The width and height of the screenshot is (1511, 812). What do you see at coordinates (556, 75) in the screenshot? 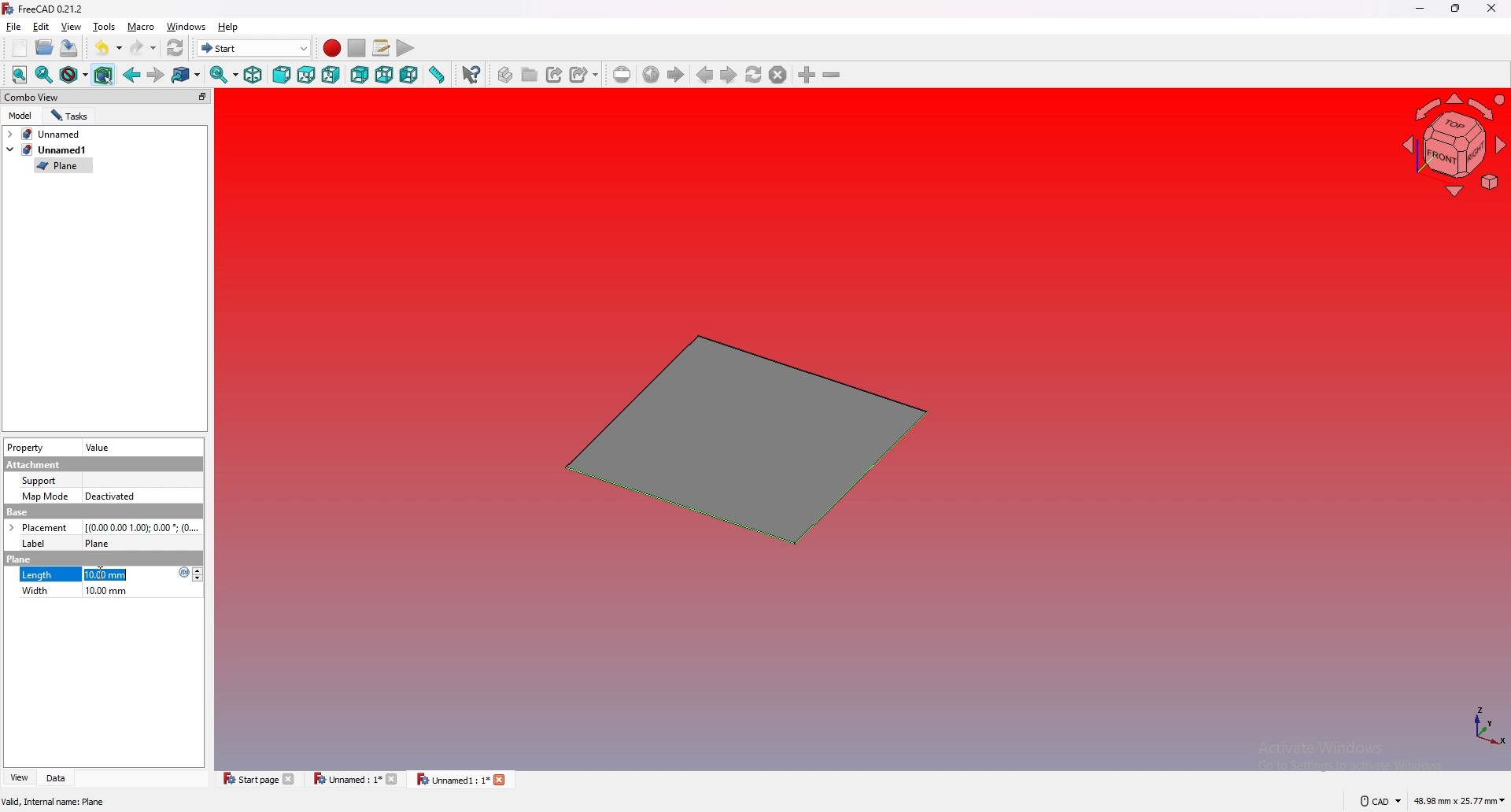
I see `create link` at bounding box center [556, 75].